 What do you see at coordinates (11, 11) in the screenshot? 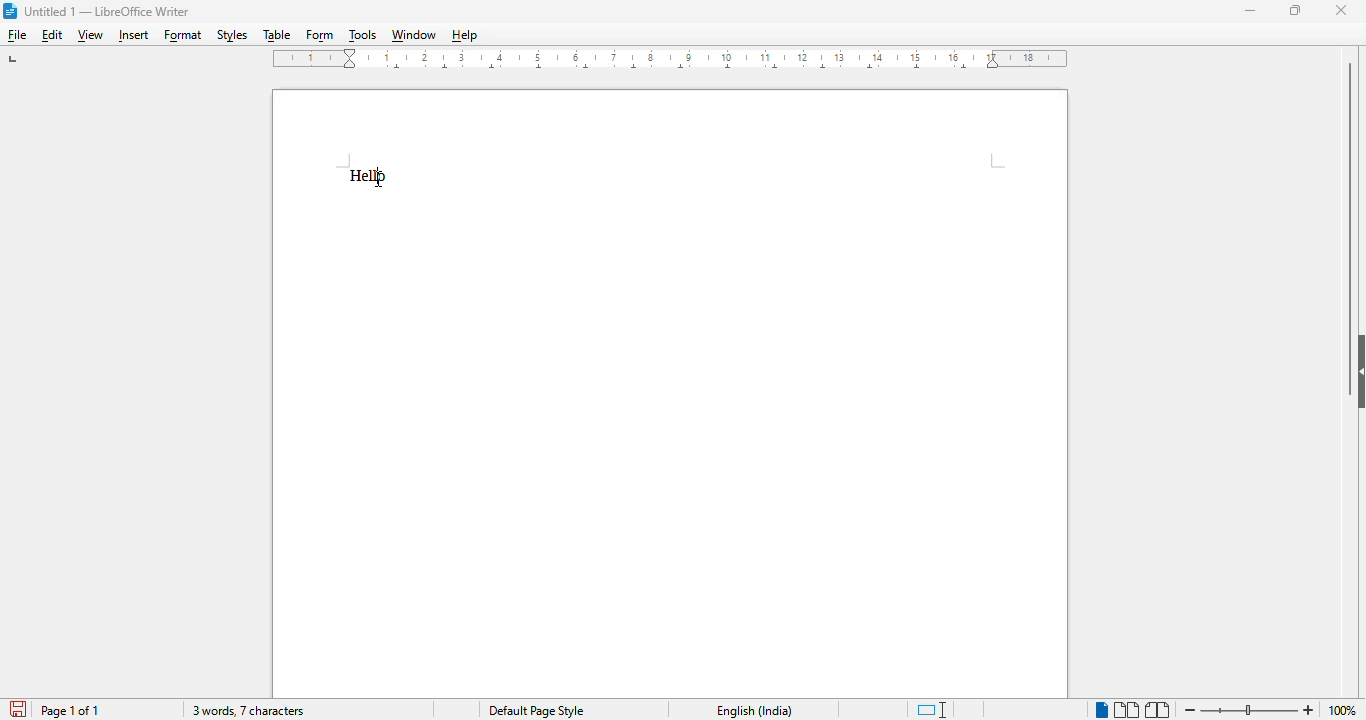
I see `logo` at bounding box center [11, 11].